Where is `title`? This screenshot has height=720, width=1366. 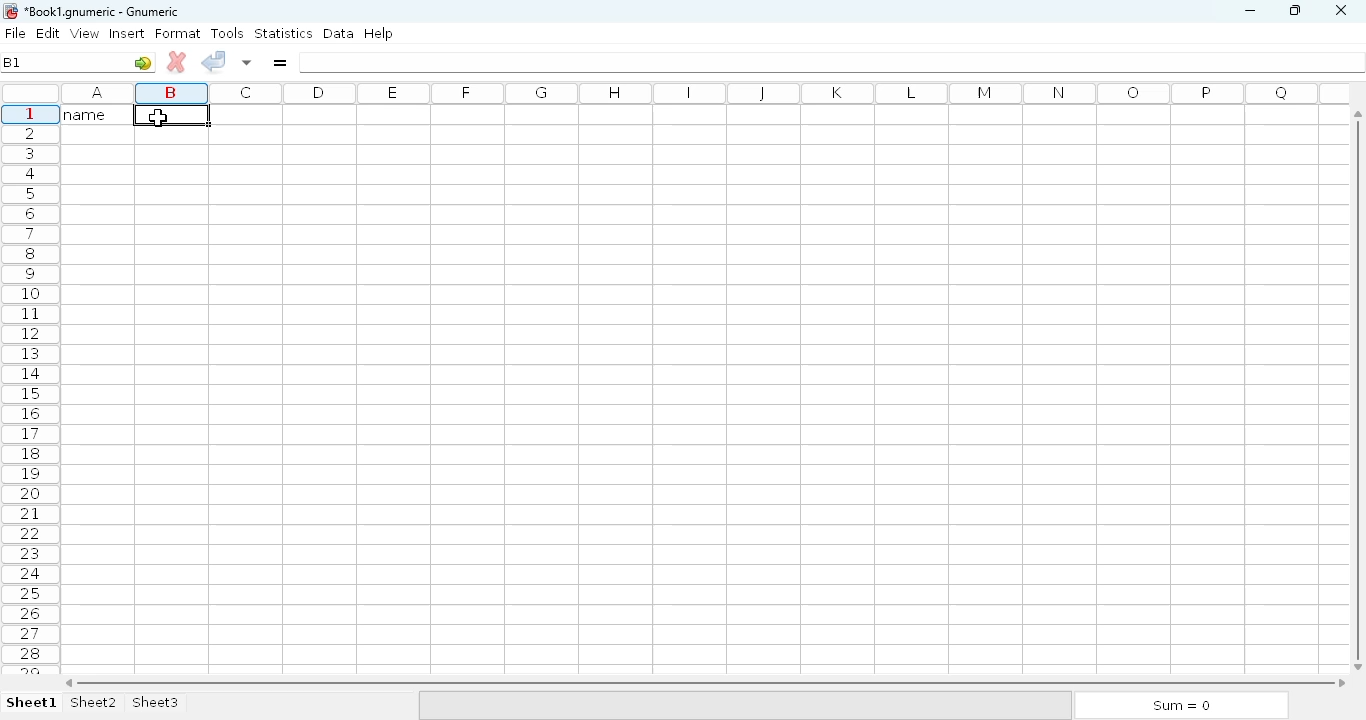 title is located at coordinates (103, 12).